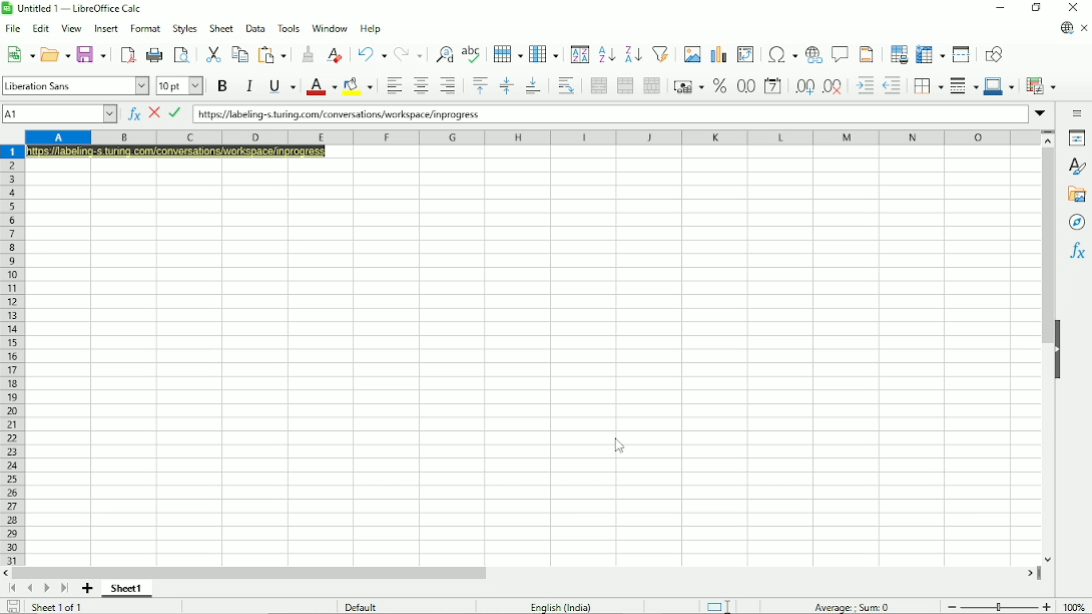 The image size is (1092, 614). What do you see at coordinates (55, 53) in the screenshot?
I see `Open` at bounding box center [55, 53].